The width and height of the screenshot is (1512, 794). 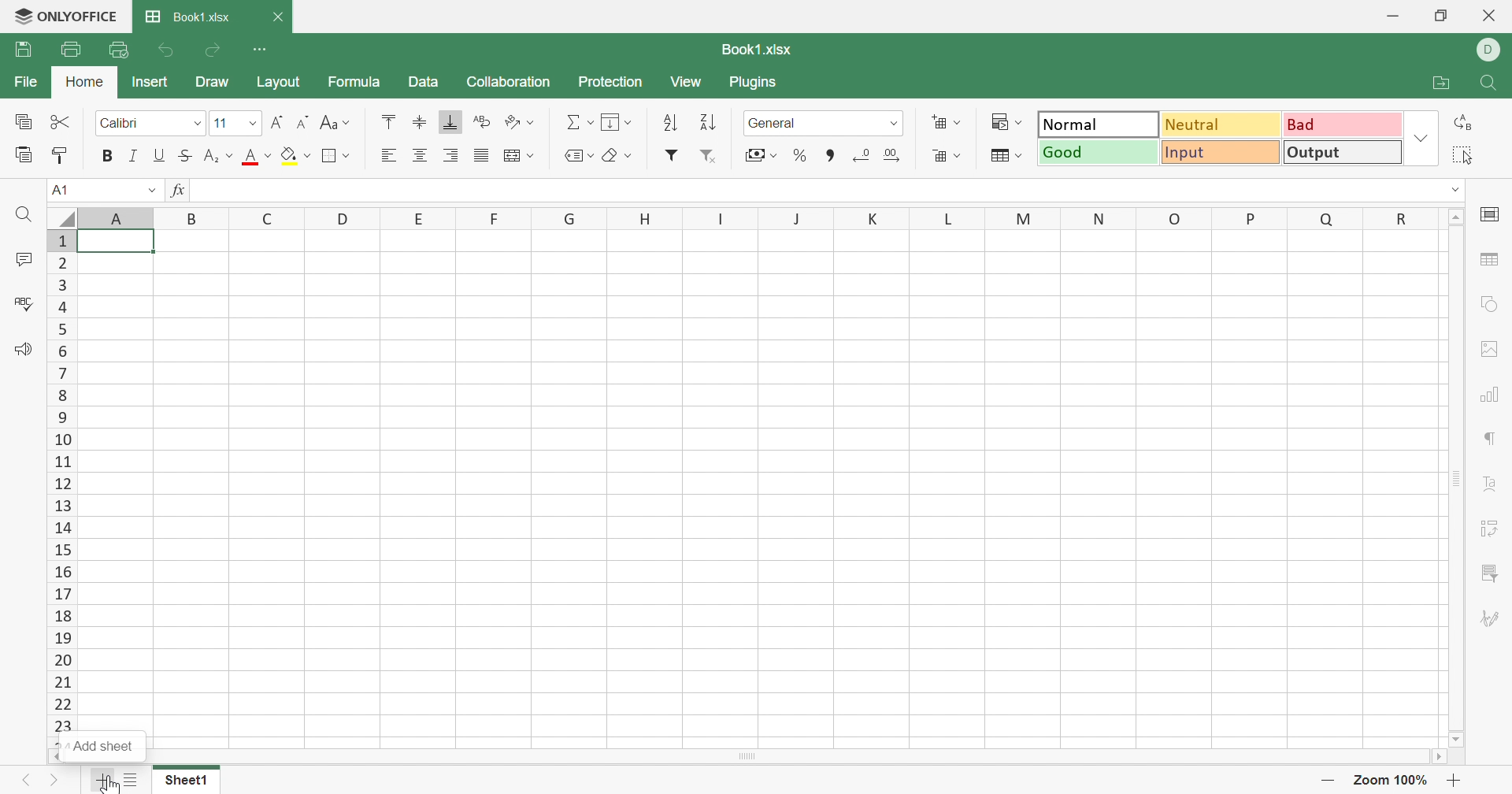 What do you see at coordinates (787, 758) in the screenshot?
I see `Scroll bar` at bounding box center [787, 758].